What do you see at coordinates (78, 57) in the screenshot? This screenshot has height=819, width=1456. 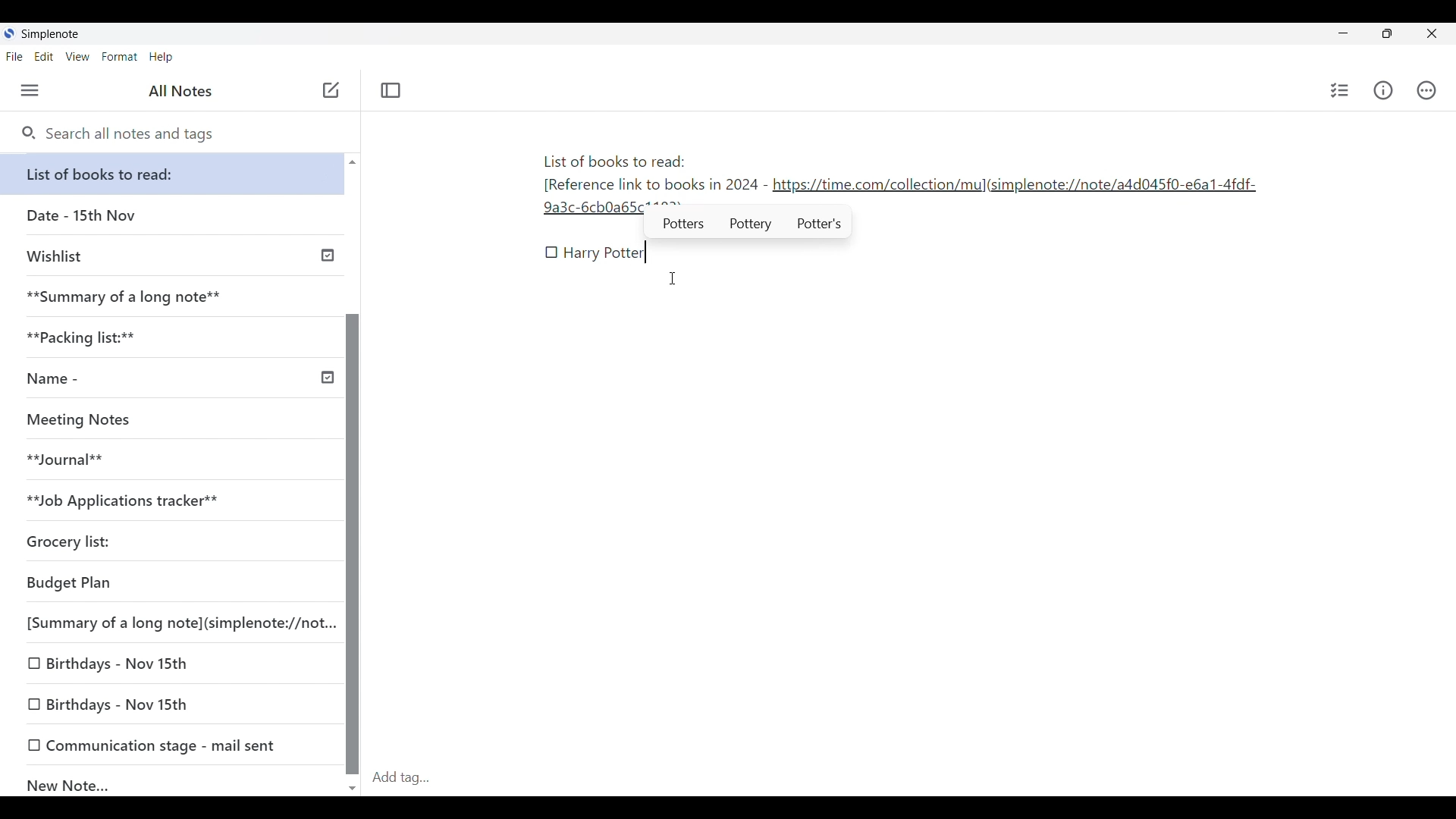 I see `View` at bounding box center [78, 57].